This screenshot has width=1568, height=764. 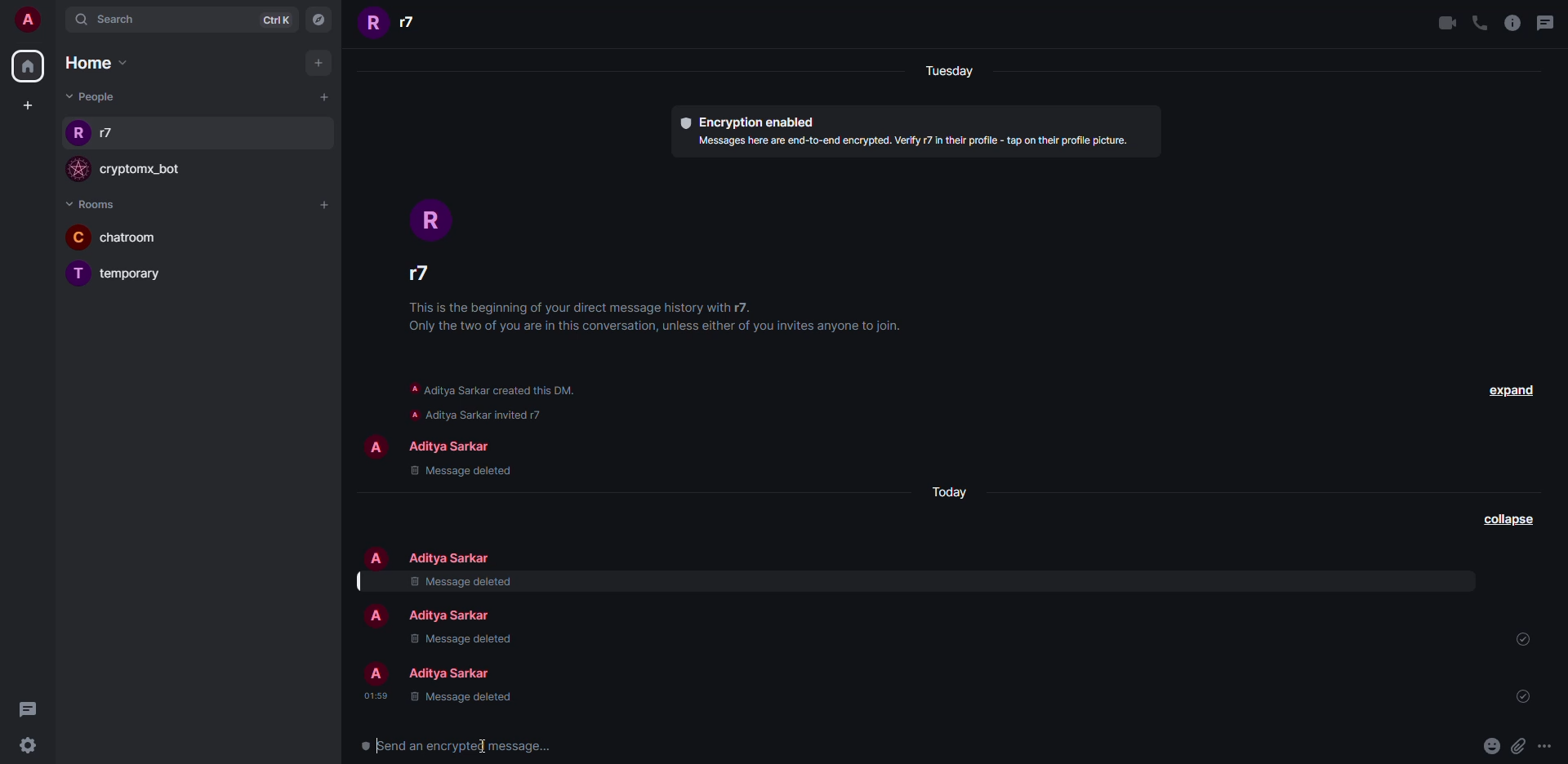 What do you see at coordinates (1517, 745) in the screenshot?
I see `attach` at bounding box center [1517, 745].